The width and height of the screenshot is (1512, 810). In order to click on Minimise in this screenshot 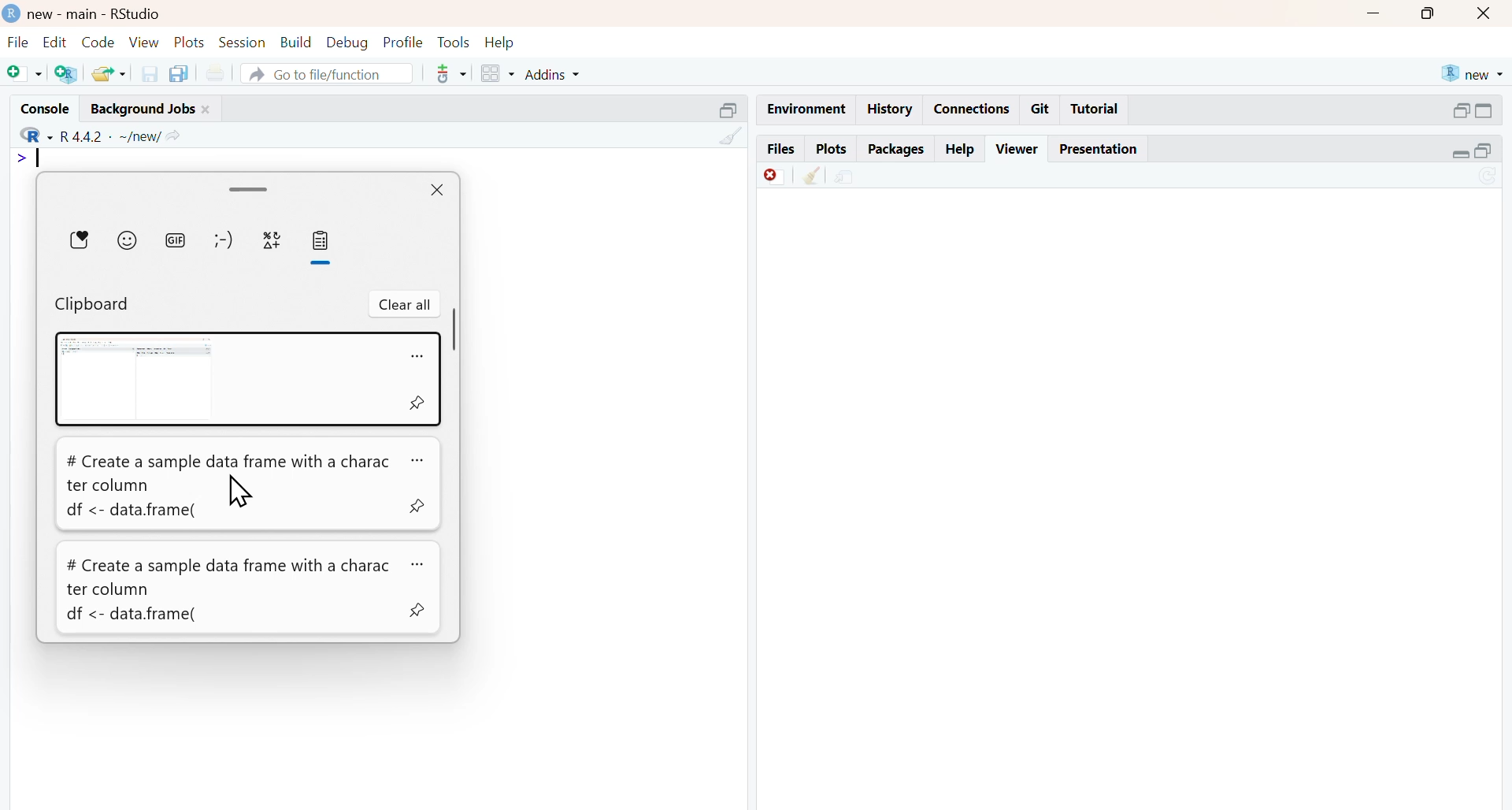, I will do `click(1373, 12)`.